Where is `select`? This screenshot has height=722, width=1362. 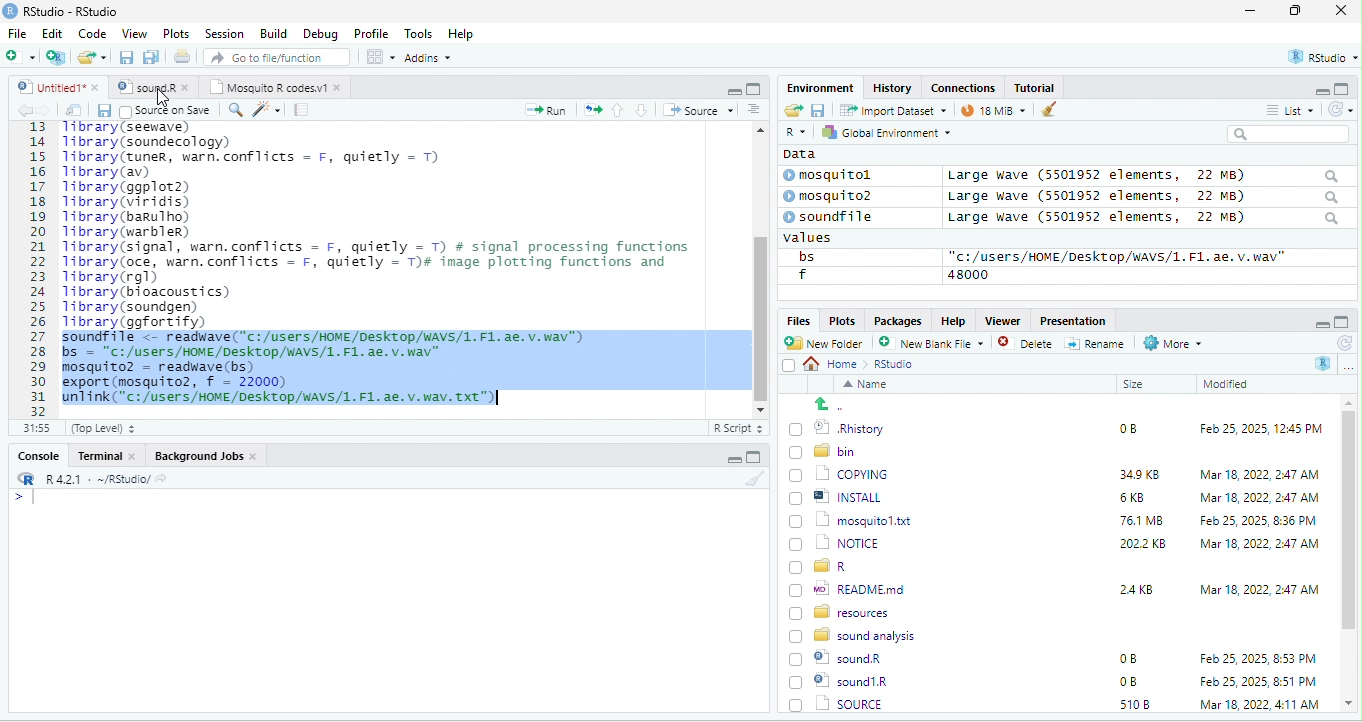 select is located at coordinates (791, 369).